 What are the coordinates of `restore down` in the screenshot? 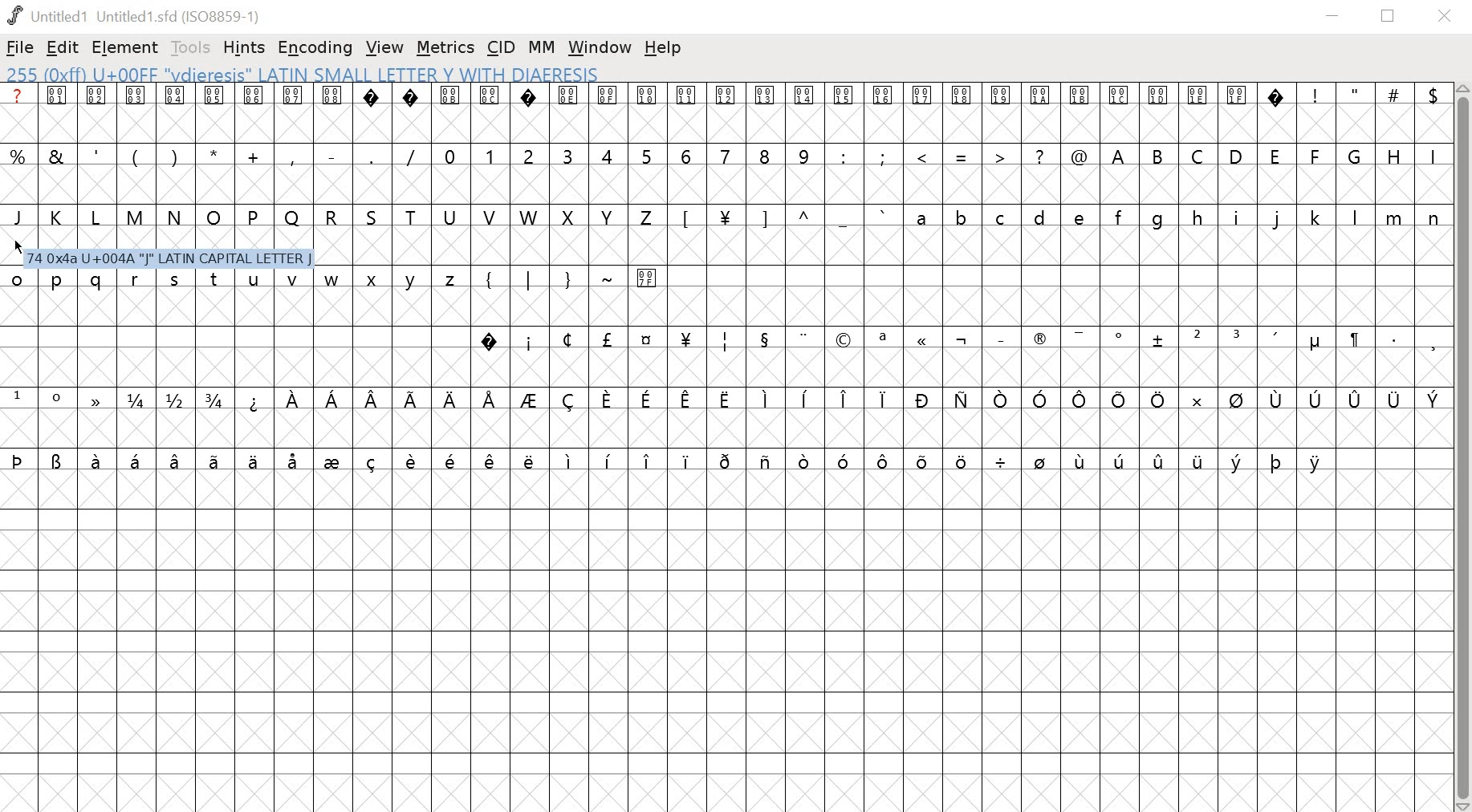 It's located at (1389, 16).